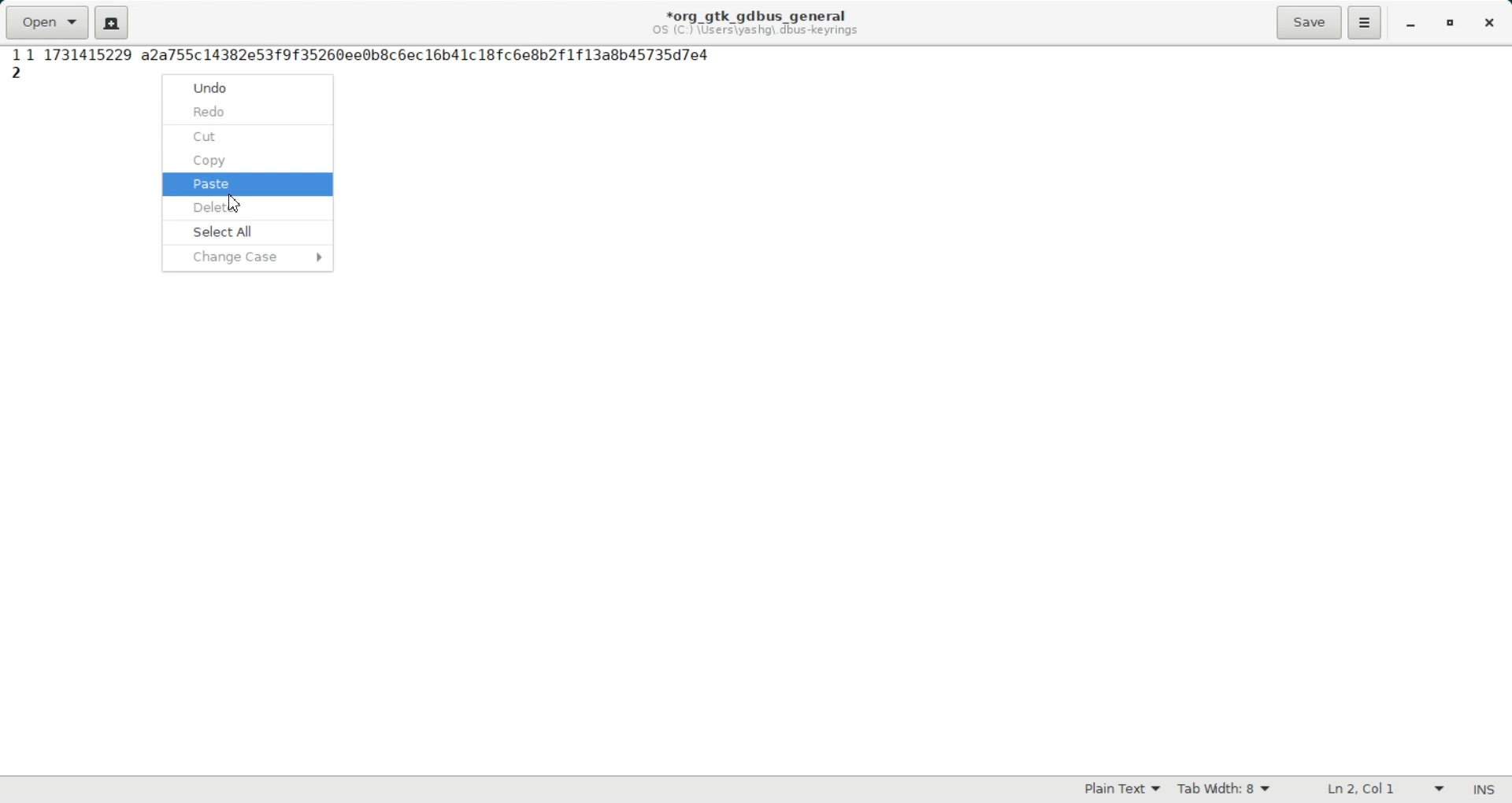 The image size is (1512, 803). Describe the element at coordinates (1122, 790) in the screenshot. I see `Plain Text` at that location.